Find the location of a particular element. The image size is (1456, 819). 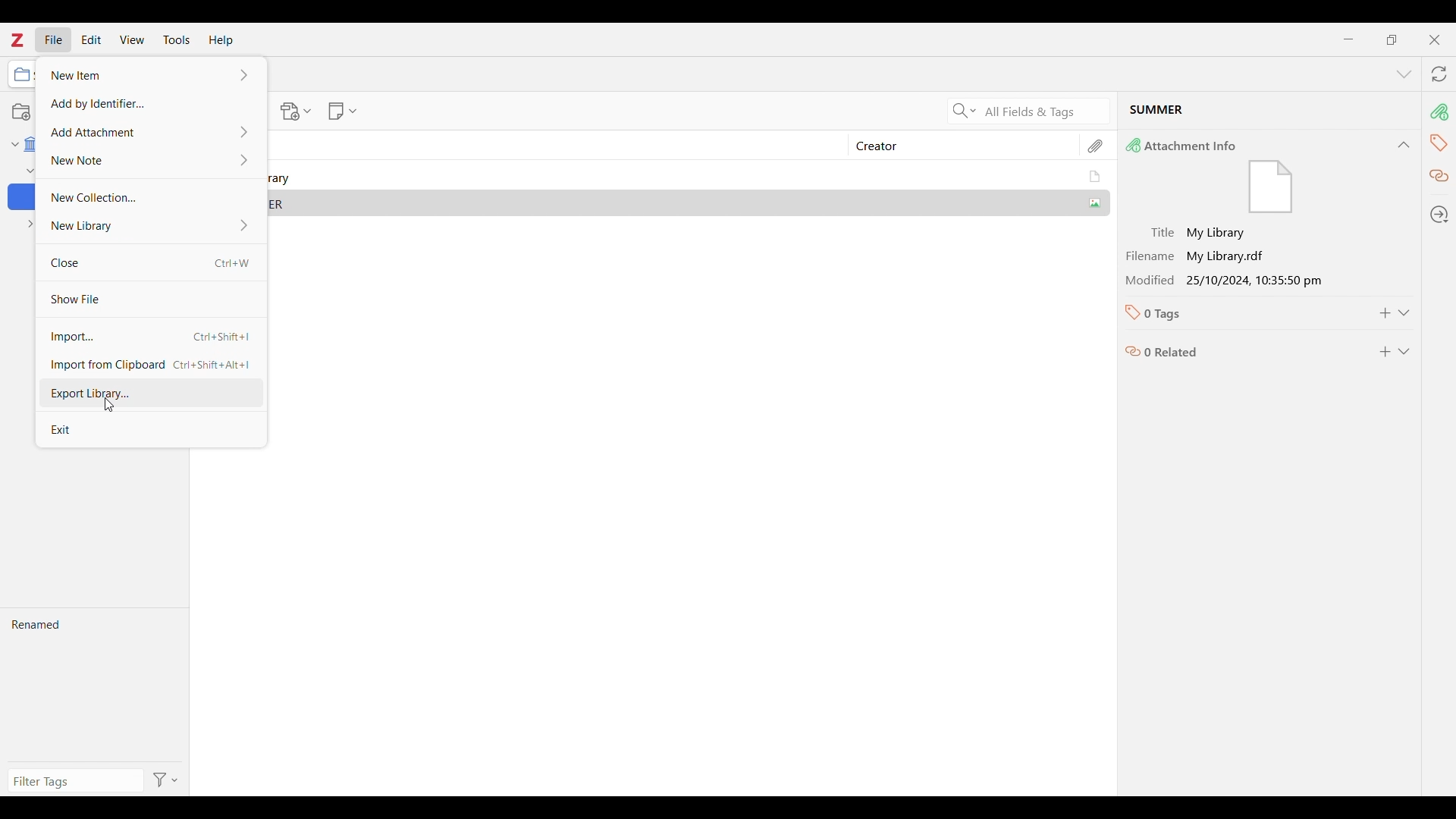

Sync with zotero.org is located at coordinates (1440, 74).